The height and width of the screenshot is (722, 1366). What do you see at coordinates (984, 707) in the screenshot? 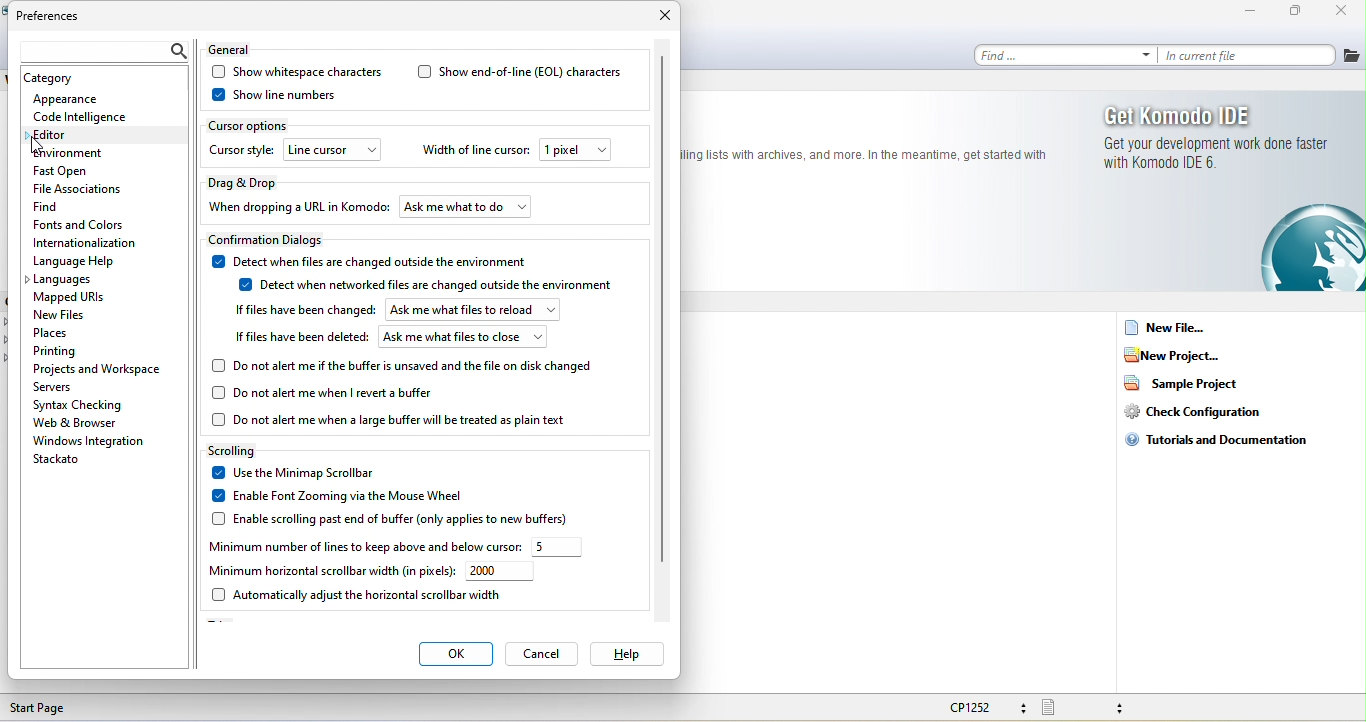
I see `cp1252` at bounding box center [984, 707].